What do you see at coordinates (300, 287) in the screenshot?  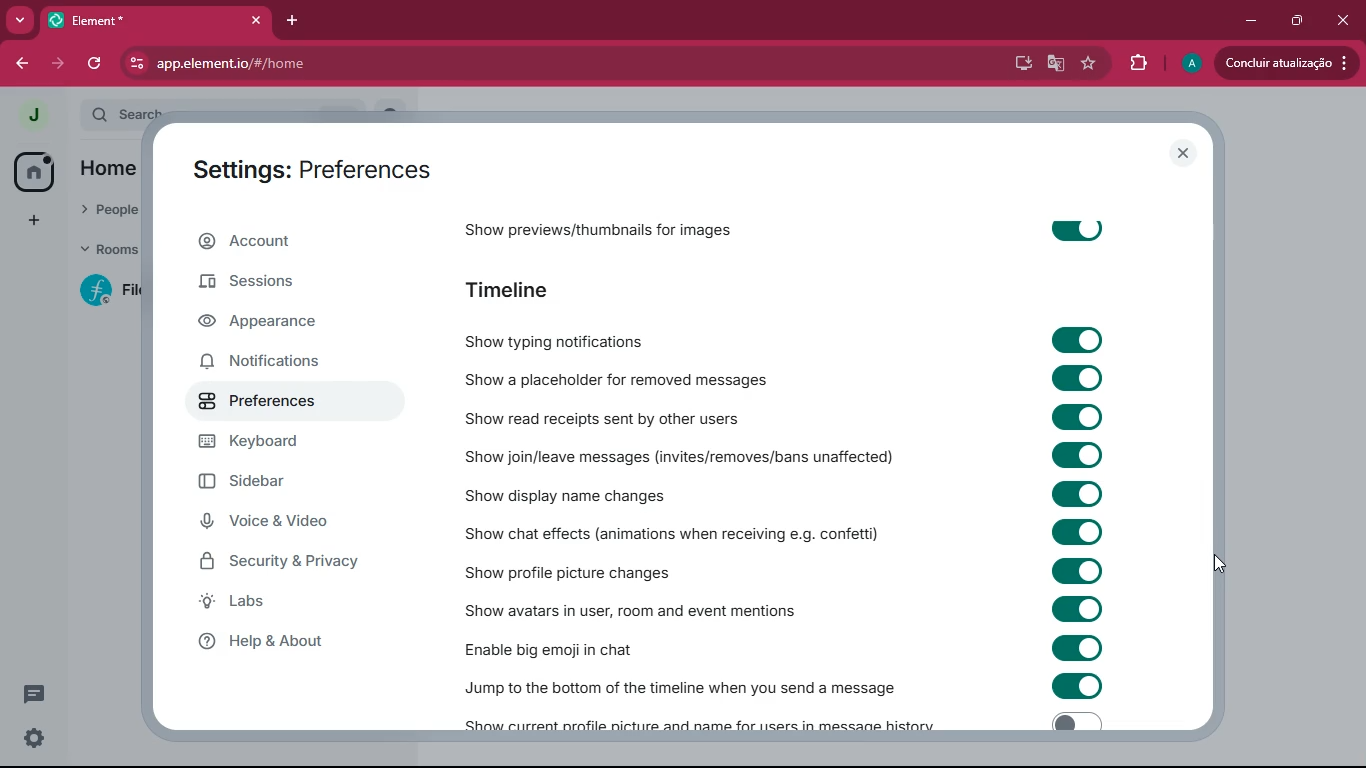 I see `sessions` at bounding box center [300, 287].